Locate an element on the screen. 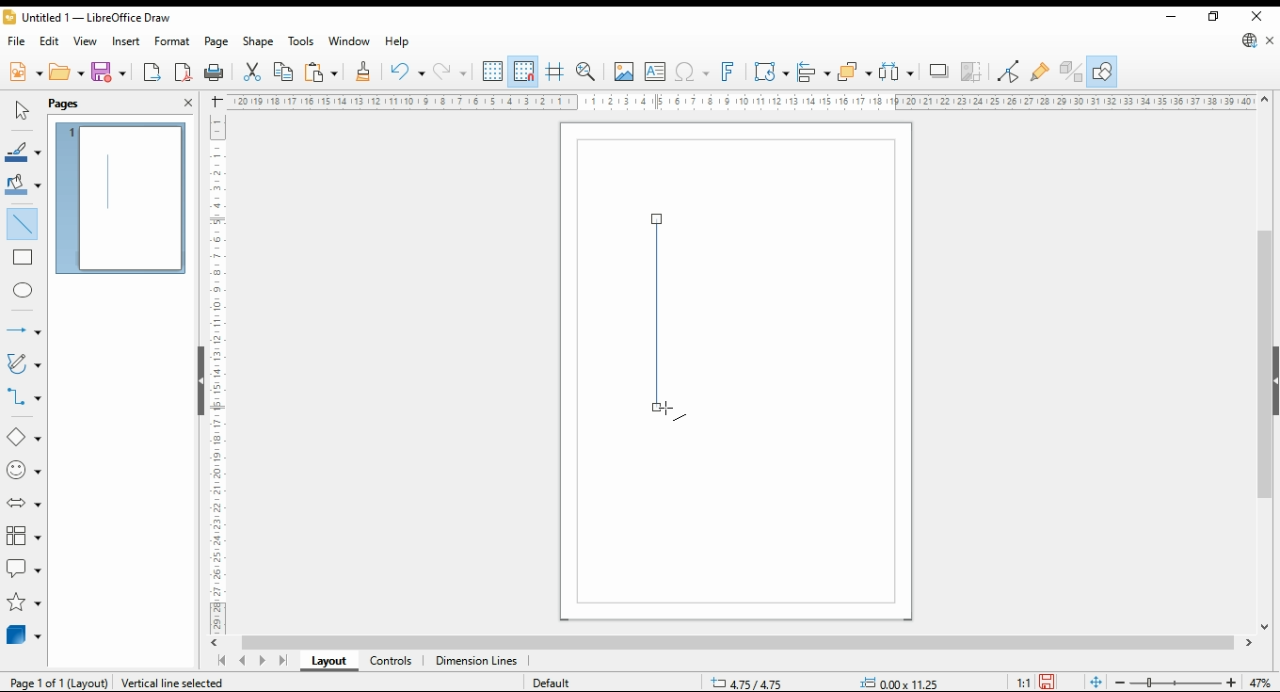 The height and width of the screenshot is (692, 1280). block arrows is located at coordinates (25, 504).